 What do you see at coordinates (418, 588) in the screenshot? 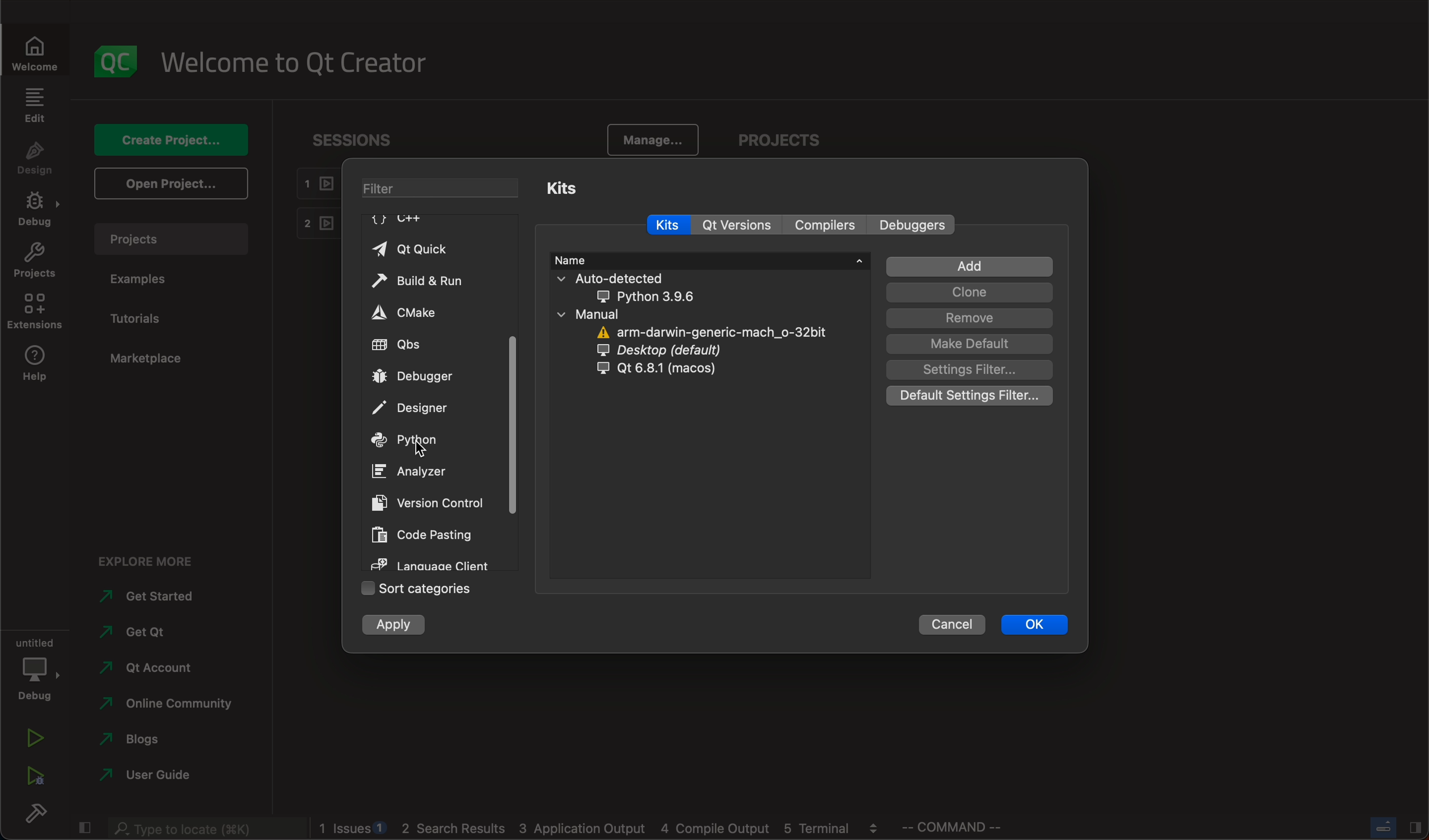
I see `sort ` at bounding box center [418, 588].